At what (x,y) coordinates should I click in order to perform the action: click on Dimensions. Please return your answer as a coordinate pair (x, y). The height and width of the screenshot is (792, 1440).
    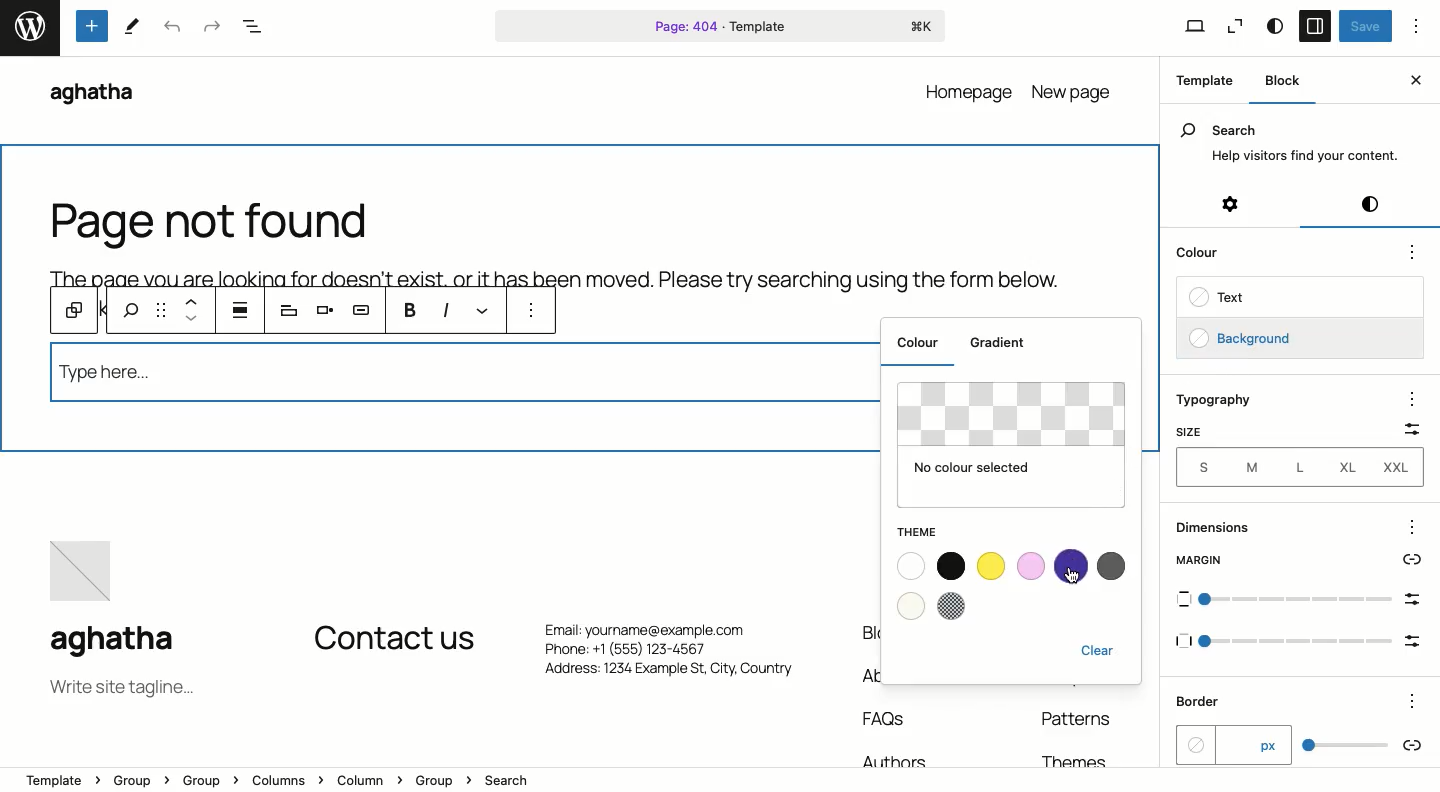
    Looking at the image, I should click on (1227, 528).